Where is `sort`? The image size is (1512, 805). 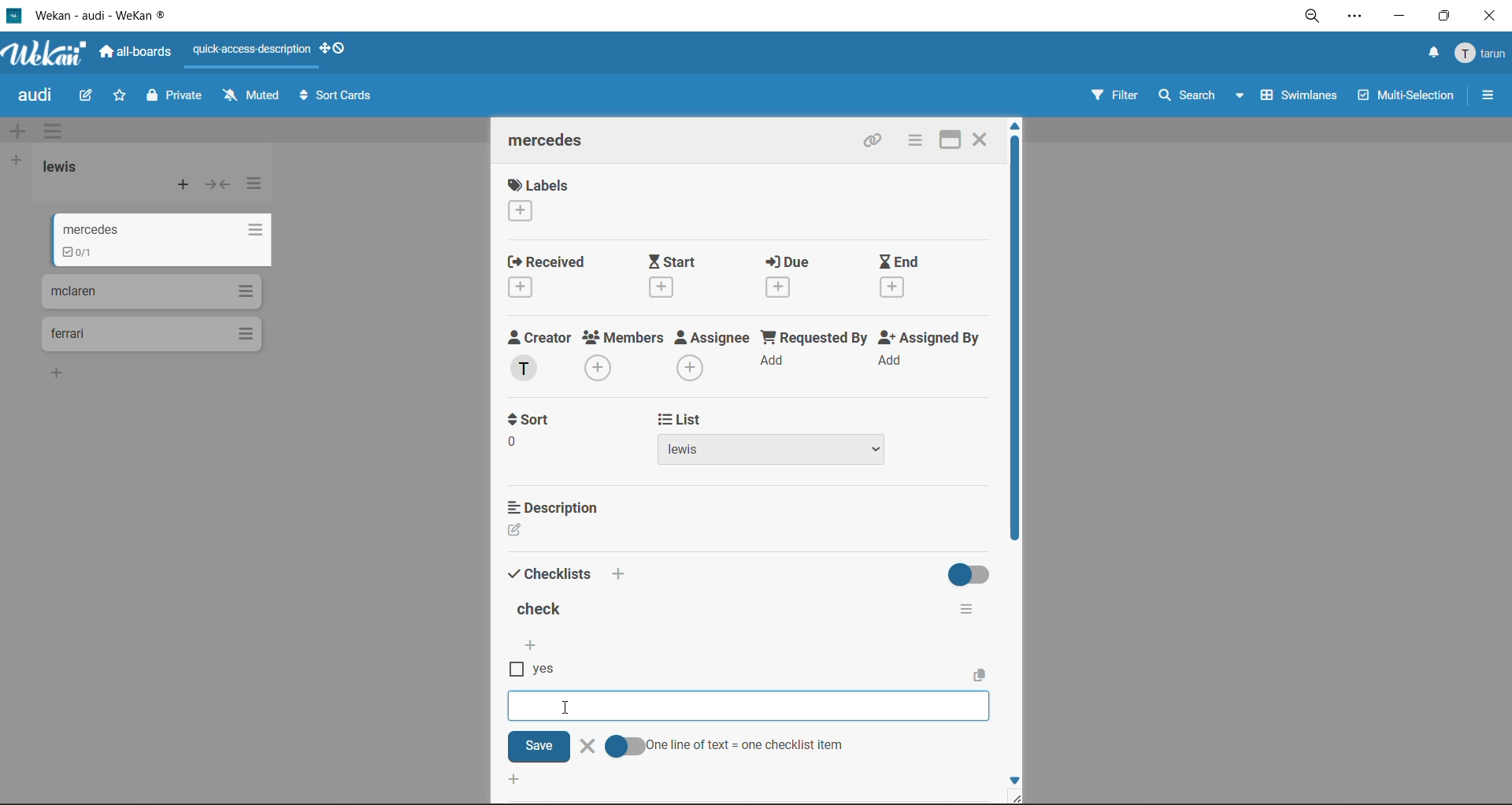
sort is located at coordinates (543, 449).